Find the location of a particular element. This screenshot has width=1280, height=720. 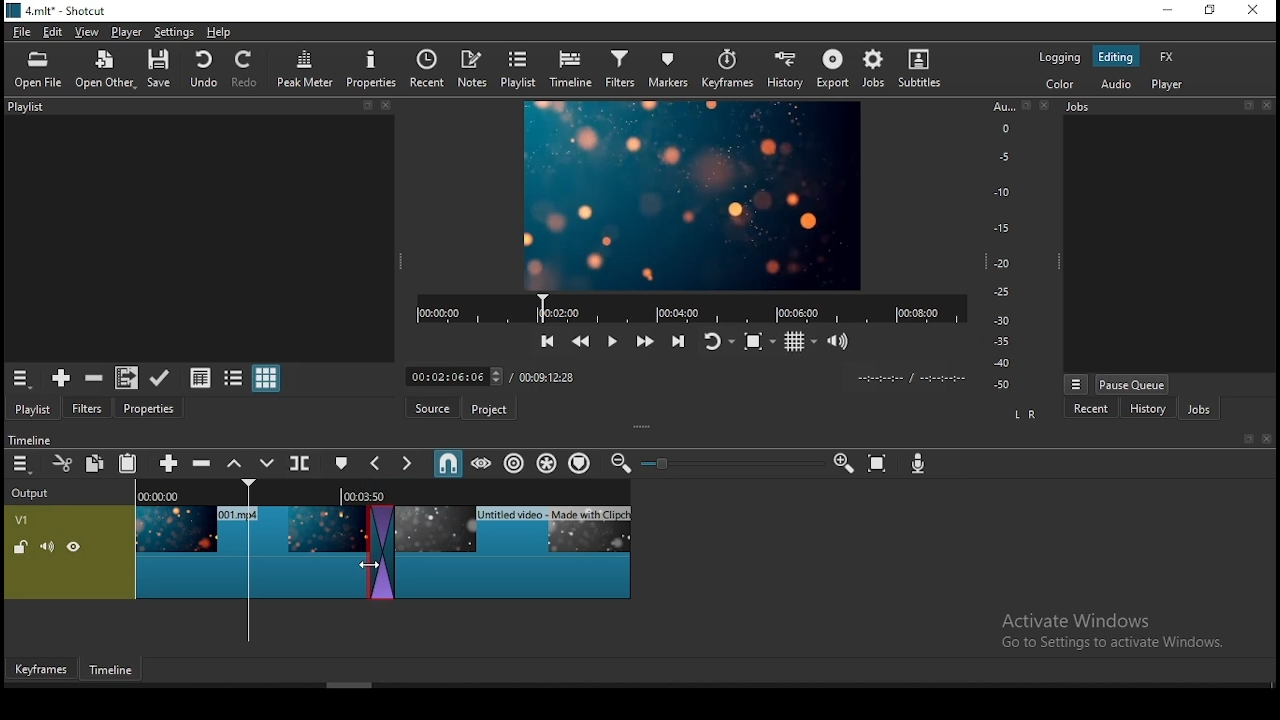

timeline settings is located at coordinates (20, 465).